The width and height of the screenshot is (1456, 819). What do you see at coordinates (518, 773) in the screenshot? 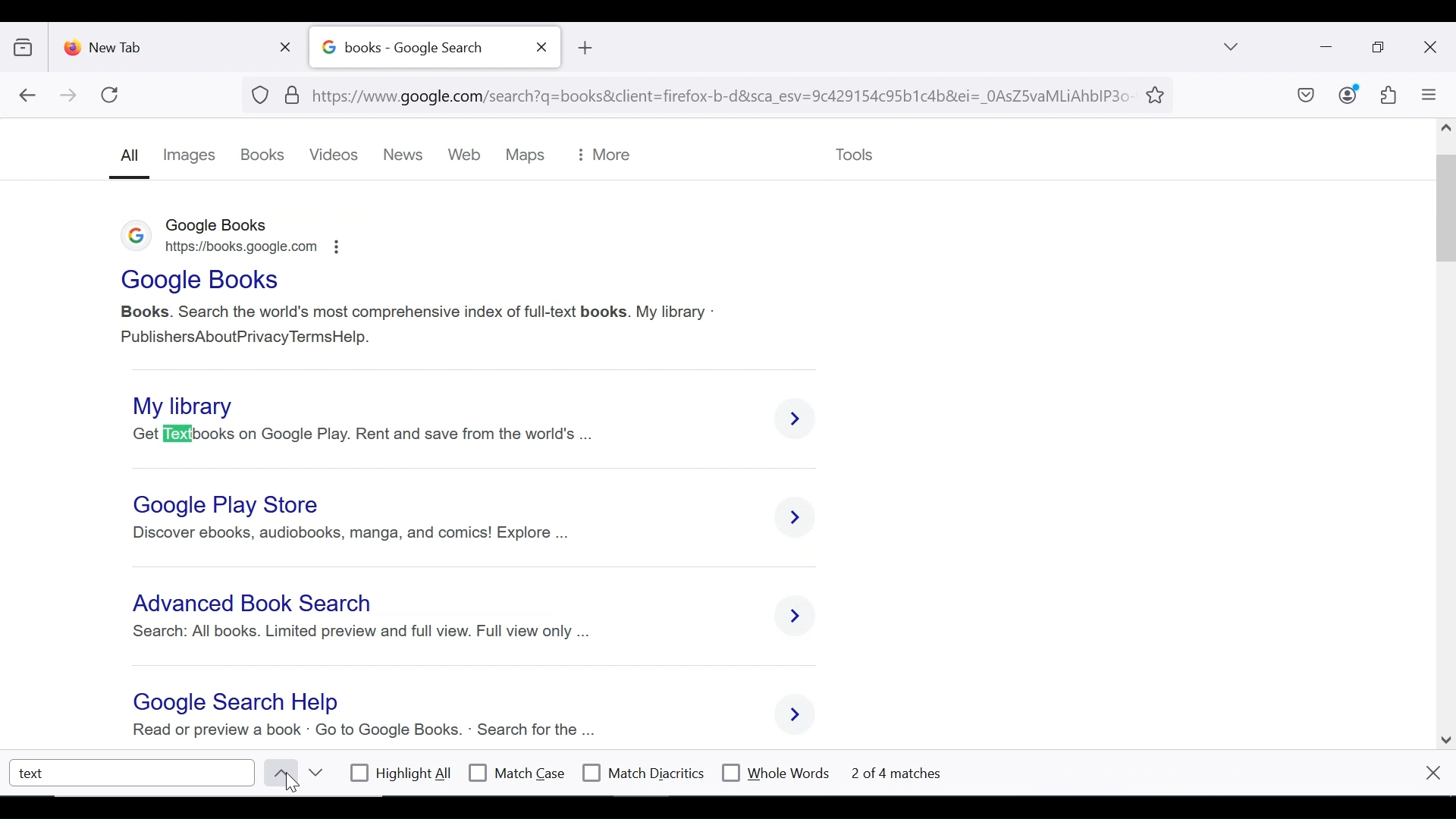
I see `match case` at bounding box center [518, 773].